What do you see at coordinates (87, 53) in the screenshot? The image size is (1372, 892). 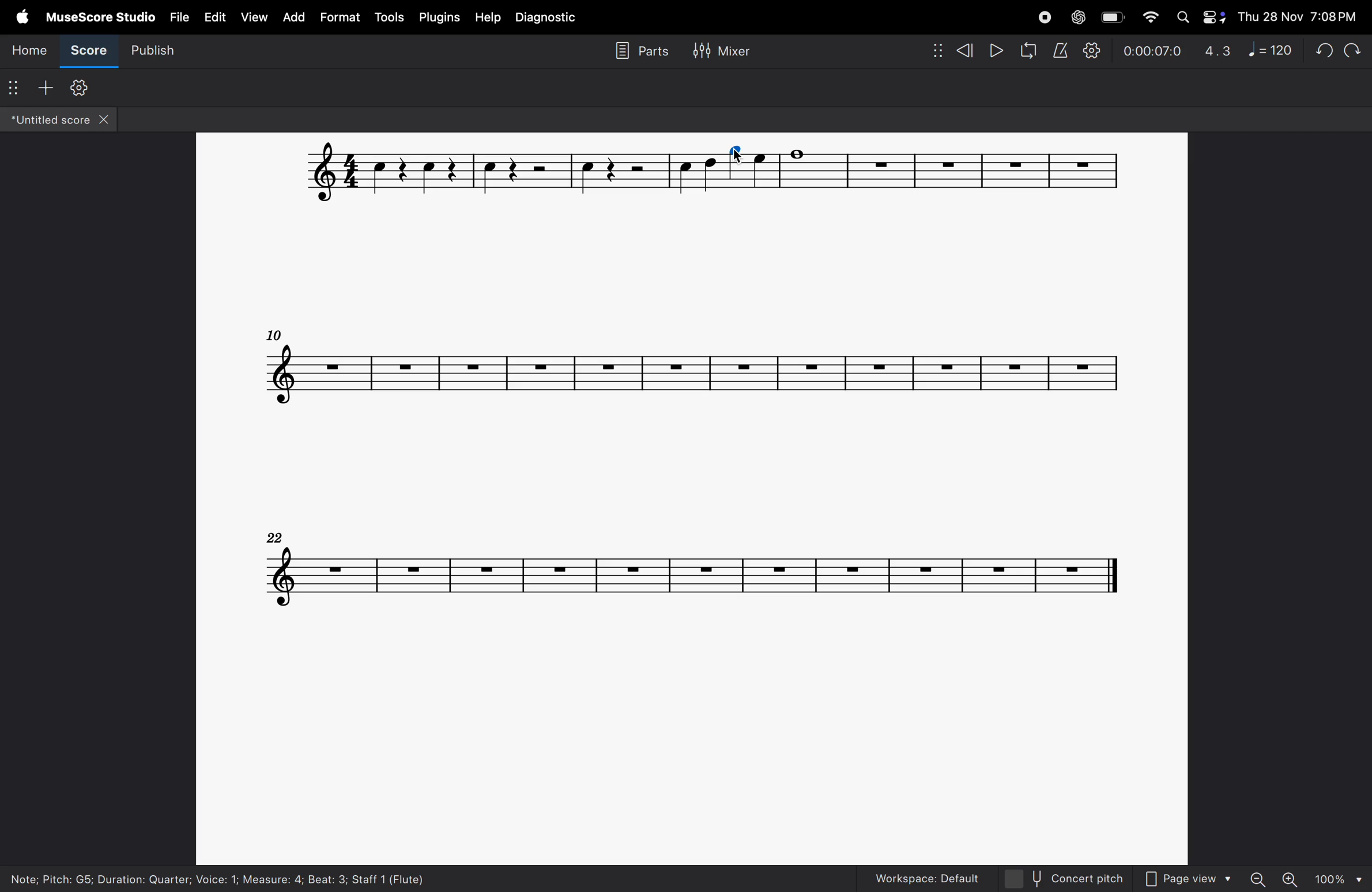 I see `score` at bounding box center [87, 53].